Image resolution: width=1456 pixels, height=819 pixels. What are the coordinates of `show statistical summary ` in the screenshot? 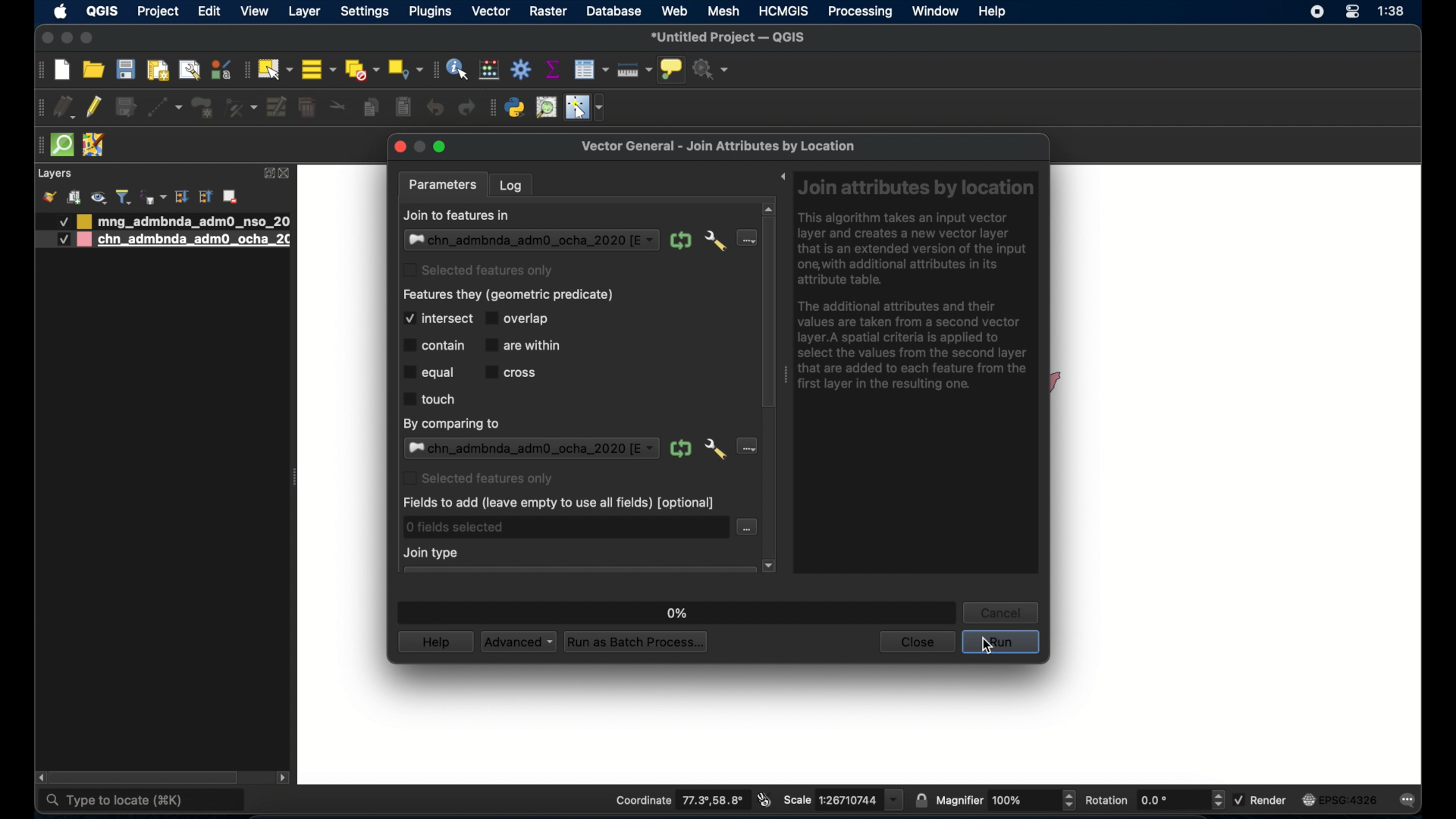 It's located at (554, 69).